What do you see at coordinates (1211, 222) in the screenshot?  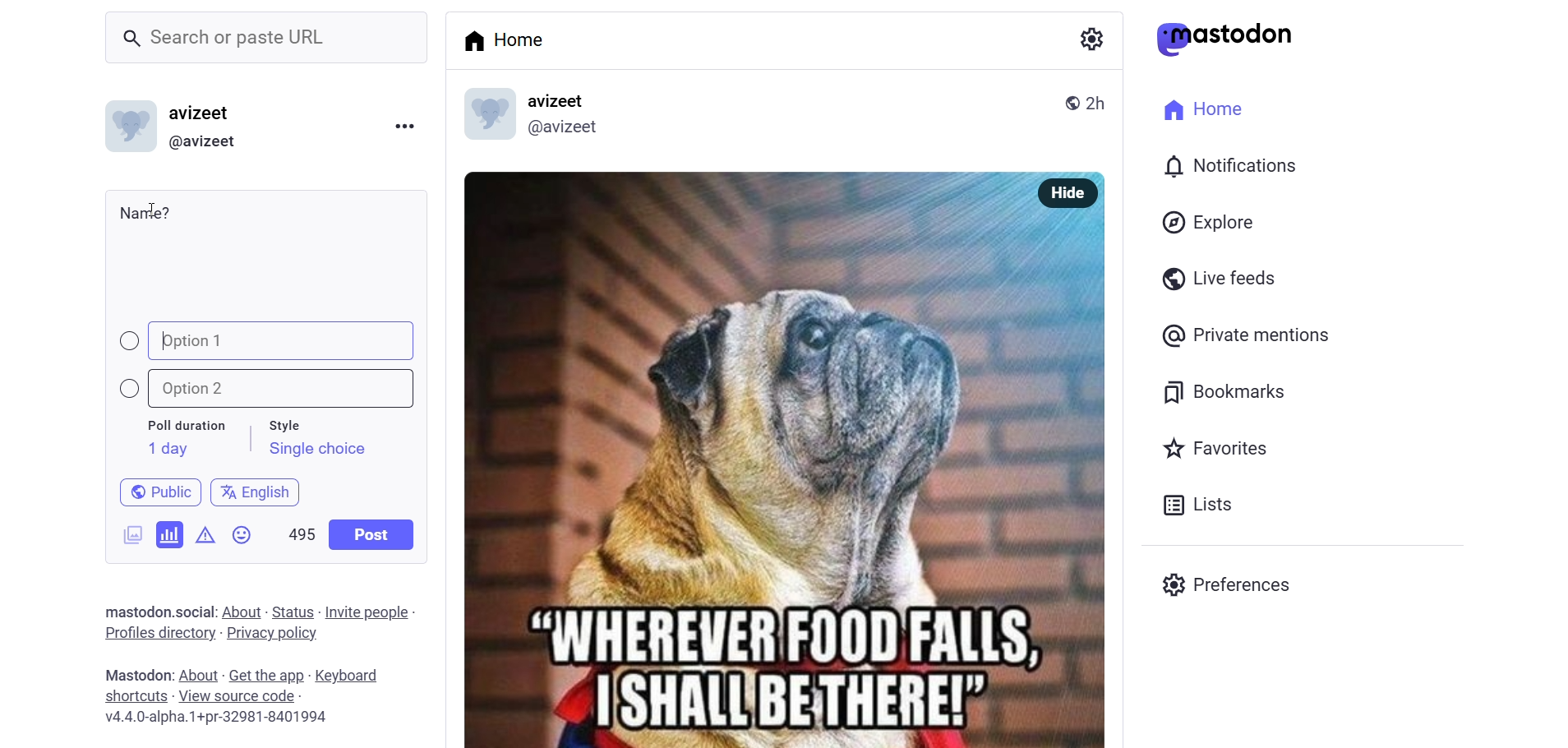 I see `explore` at bounding box center [1211, 222].